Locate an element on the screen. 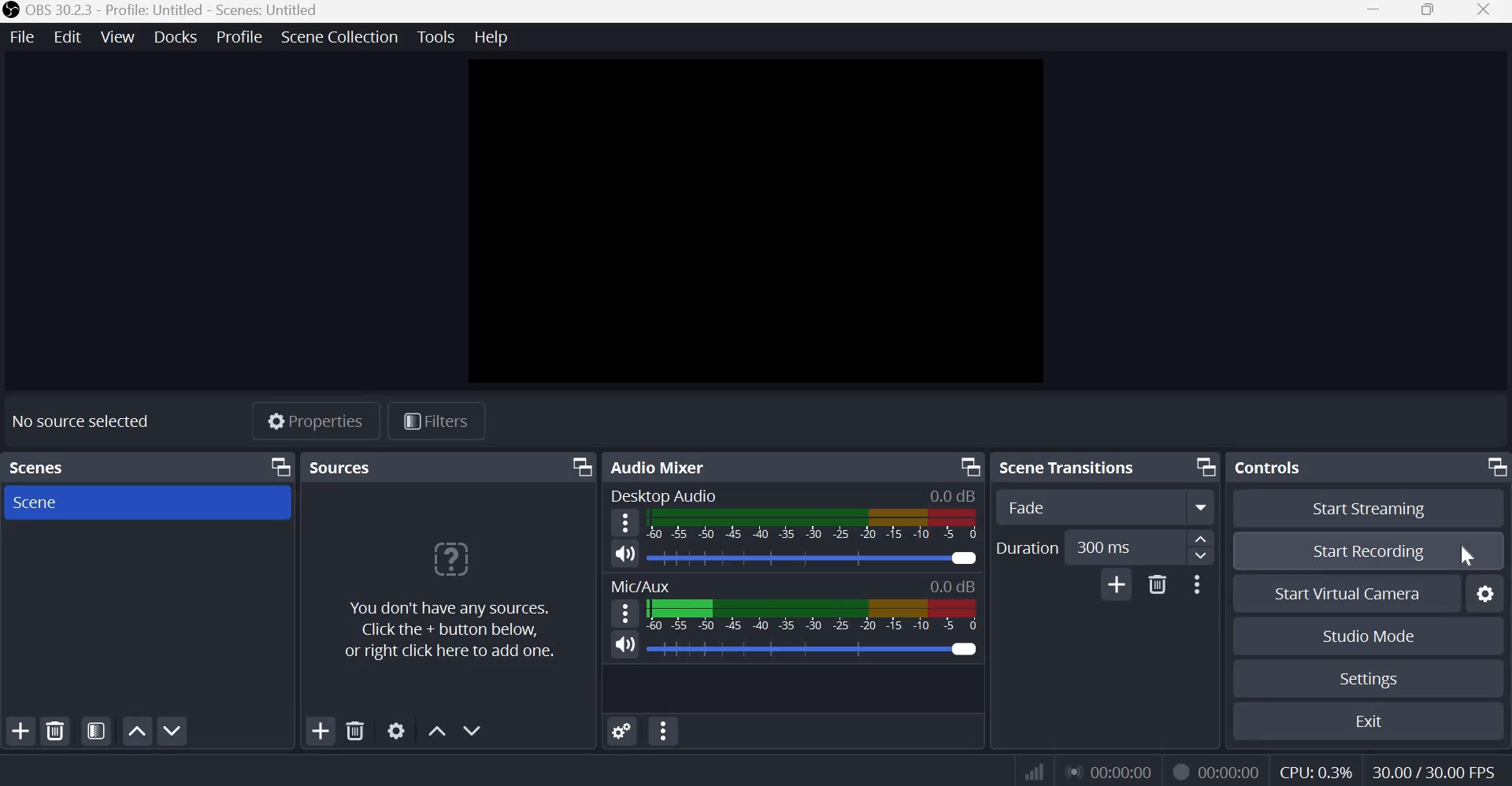 This screenshot has height=786, width=1512. Audio Slider is located at coordinates (962, 650).